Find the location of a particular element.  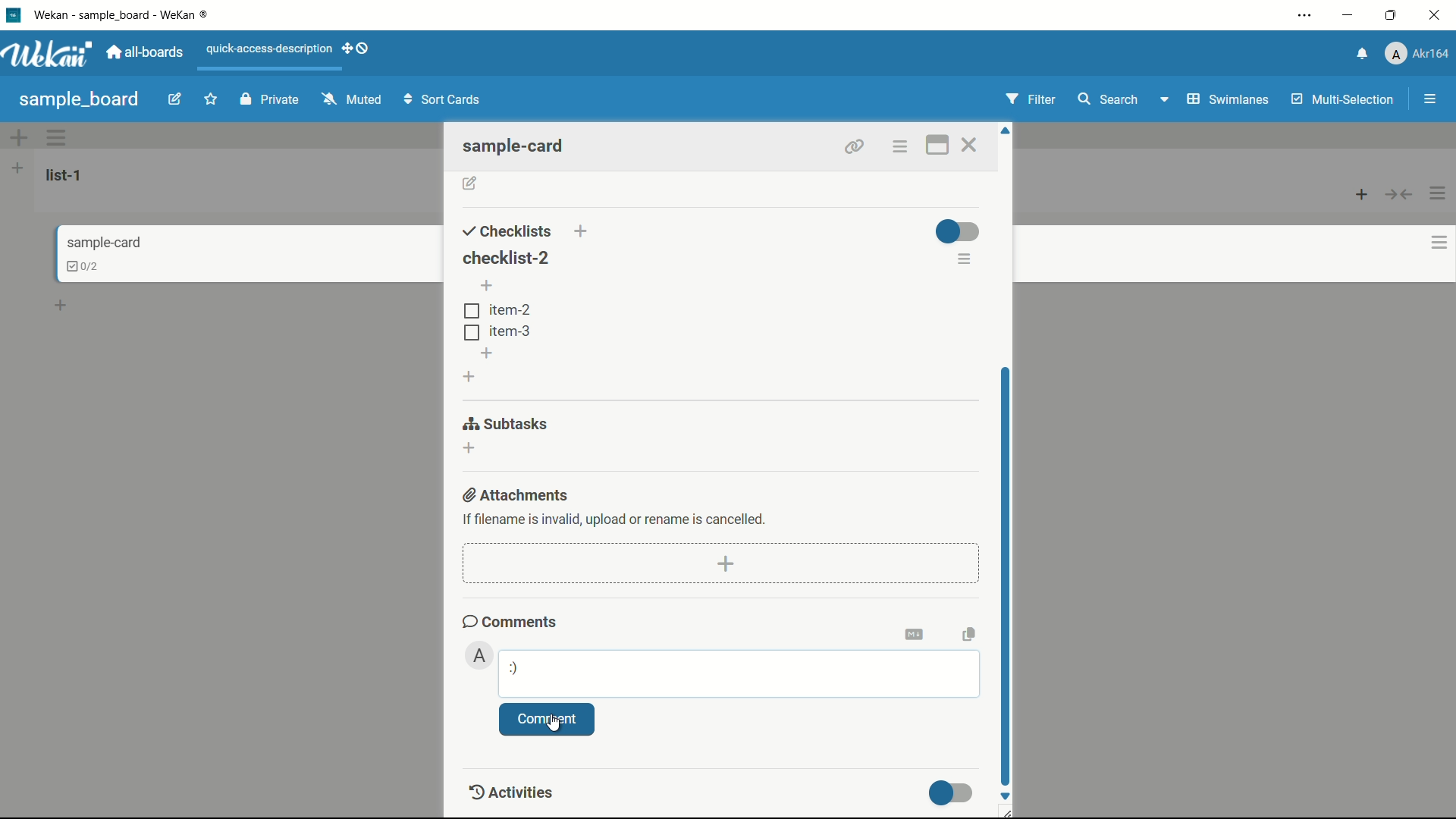

settings and more is located at coordinates (1304, 14).